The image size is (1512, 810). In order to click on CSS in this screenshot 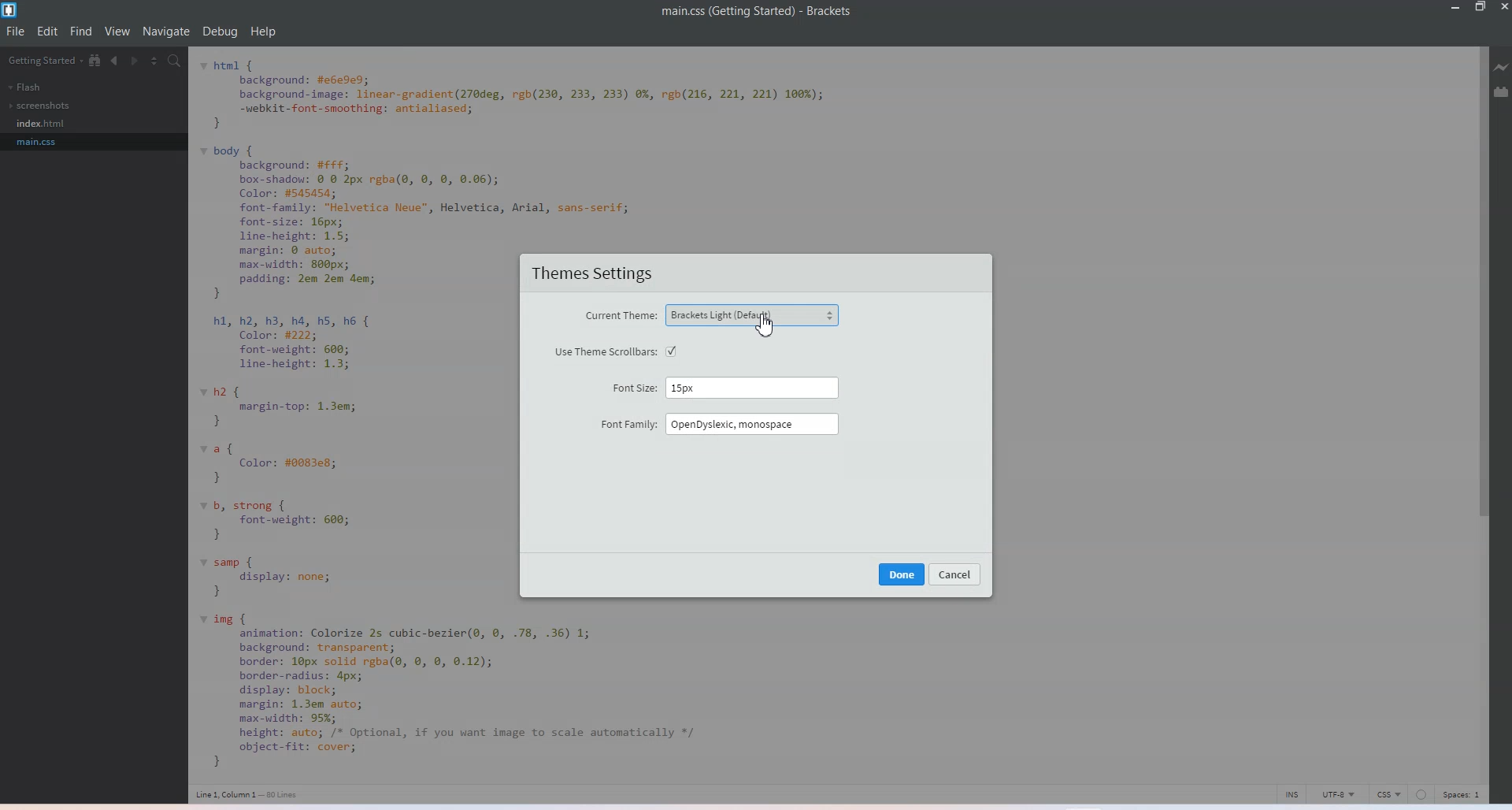, I will do `click(1390, 794)`.